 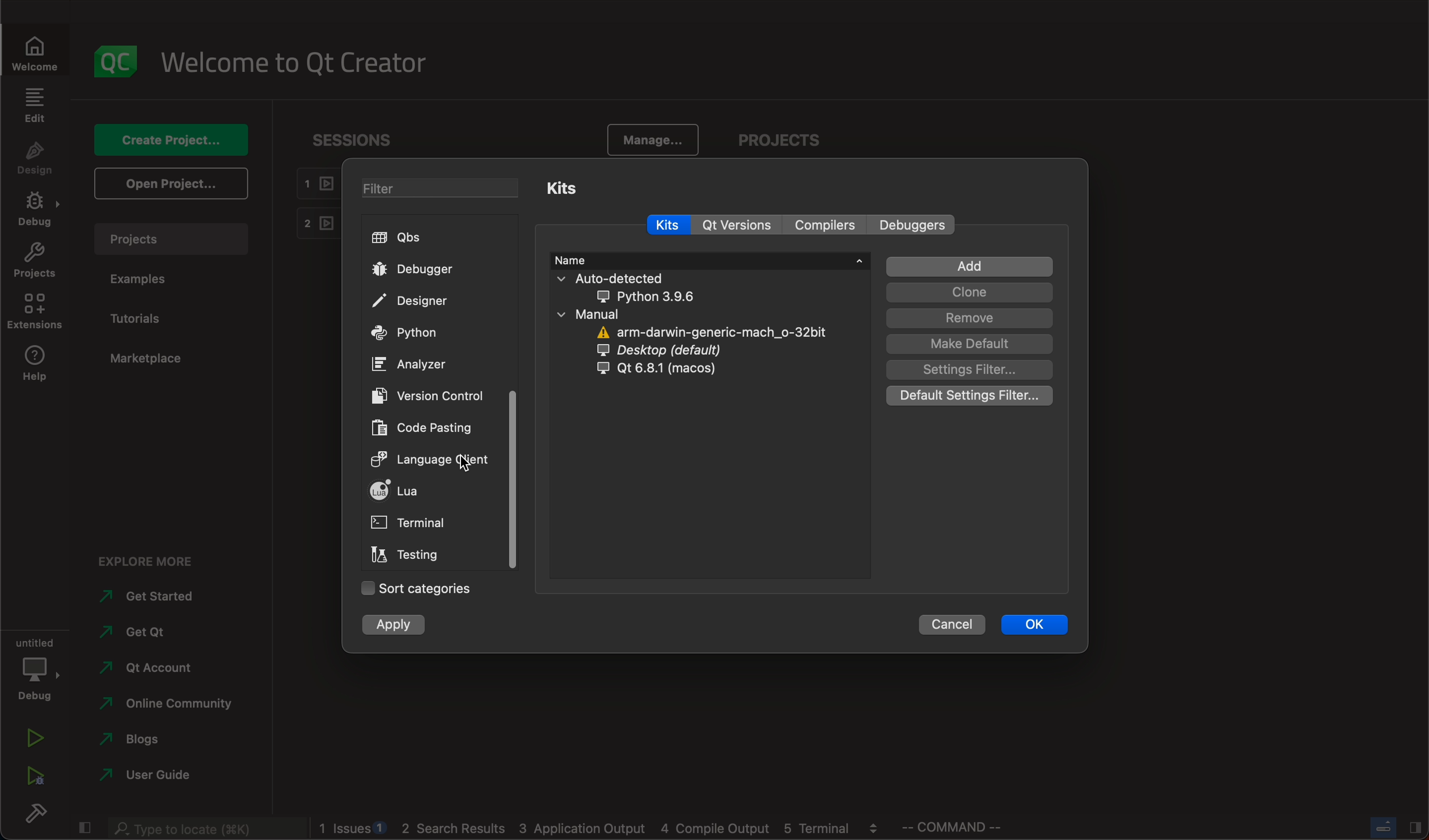 I want to click on account, so click(x=147, y=670).